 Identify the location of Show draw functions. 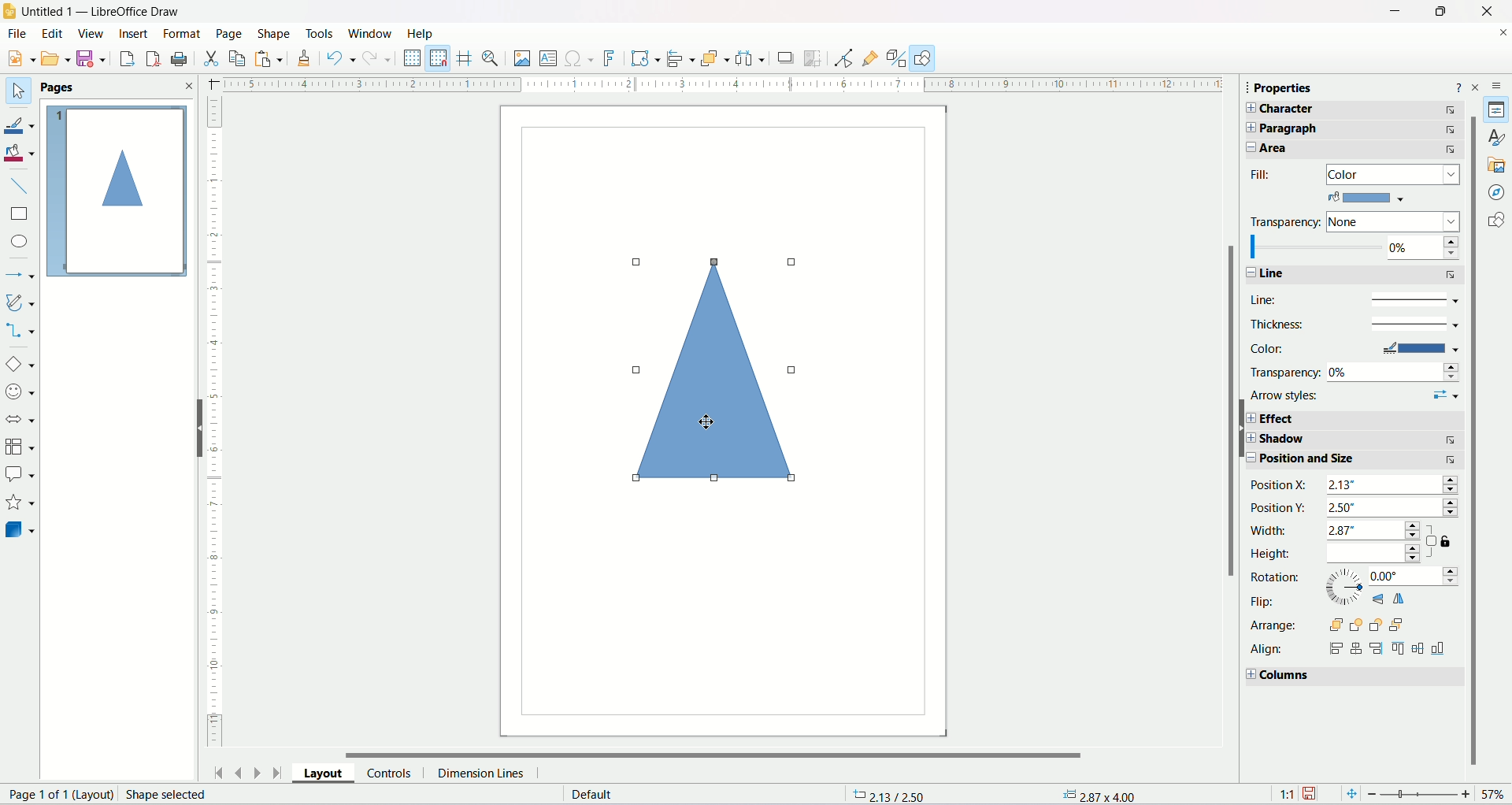
(924, 57).